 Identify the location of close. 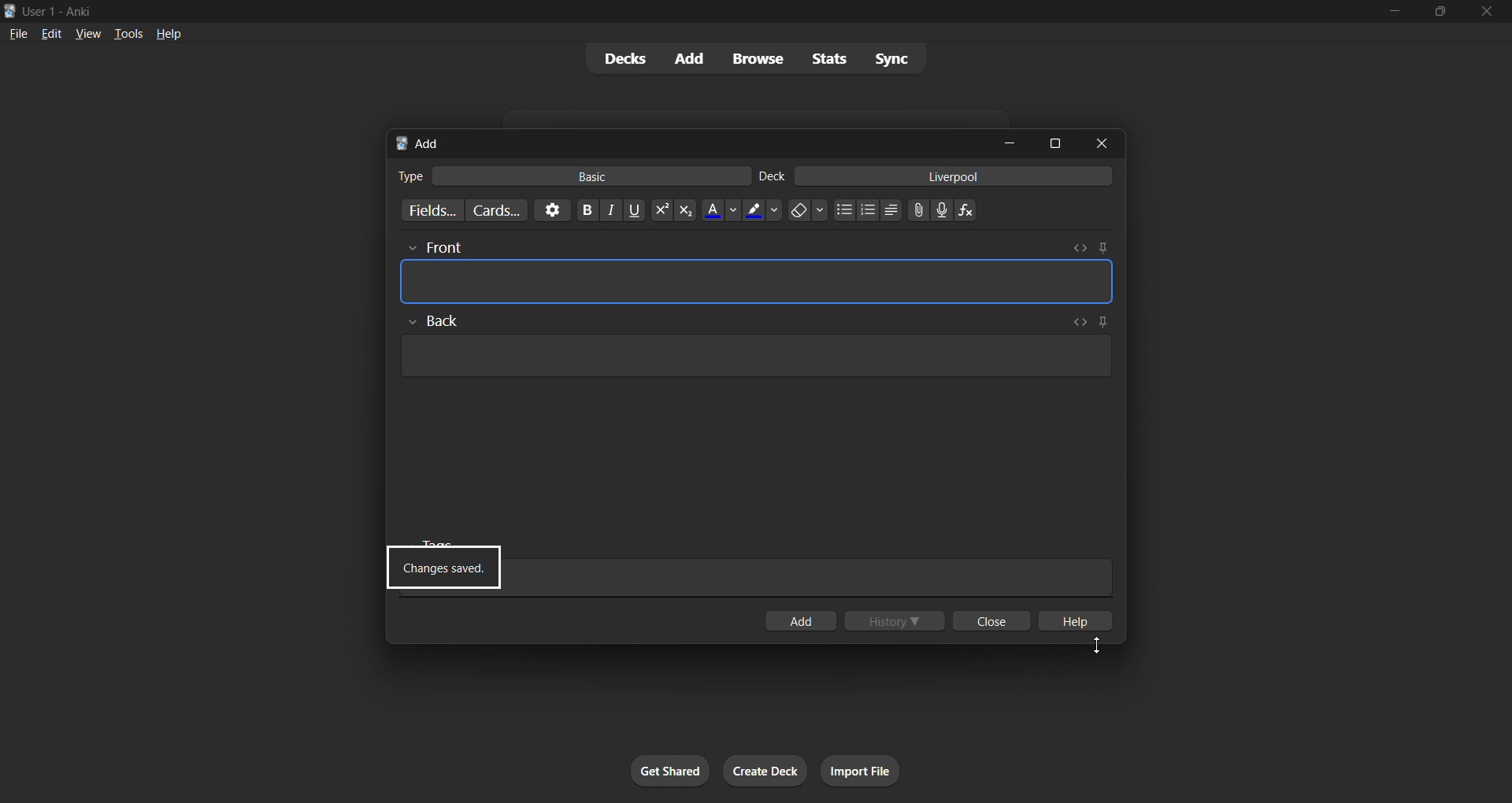
(1487, 12).